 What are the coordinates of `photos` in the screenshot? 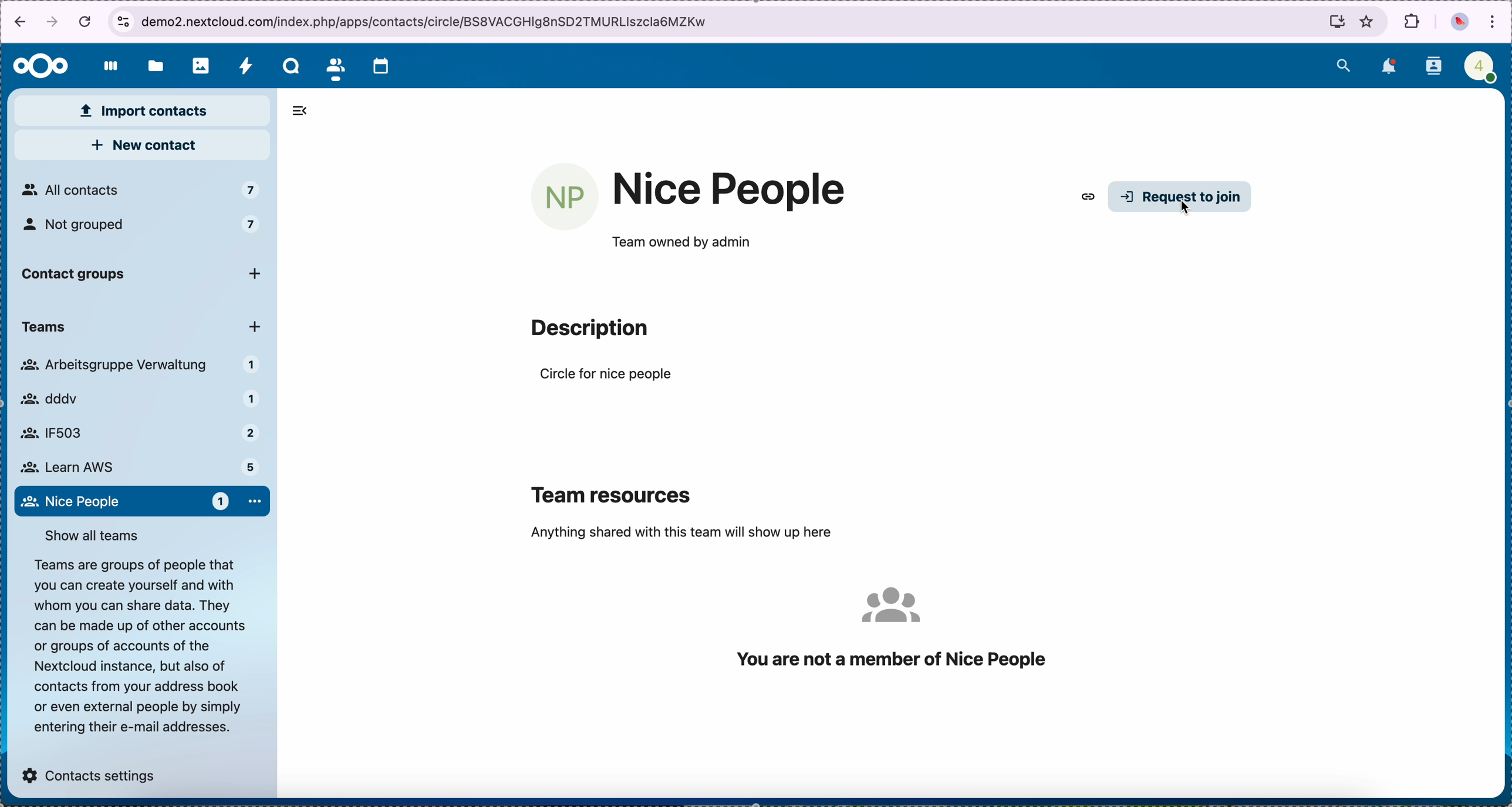 It's located at (197, 65).